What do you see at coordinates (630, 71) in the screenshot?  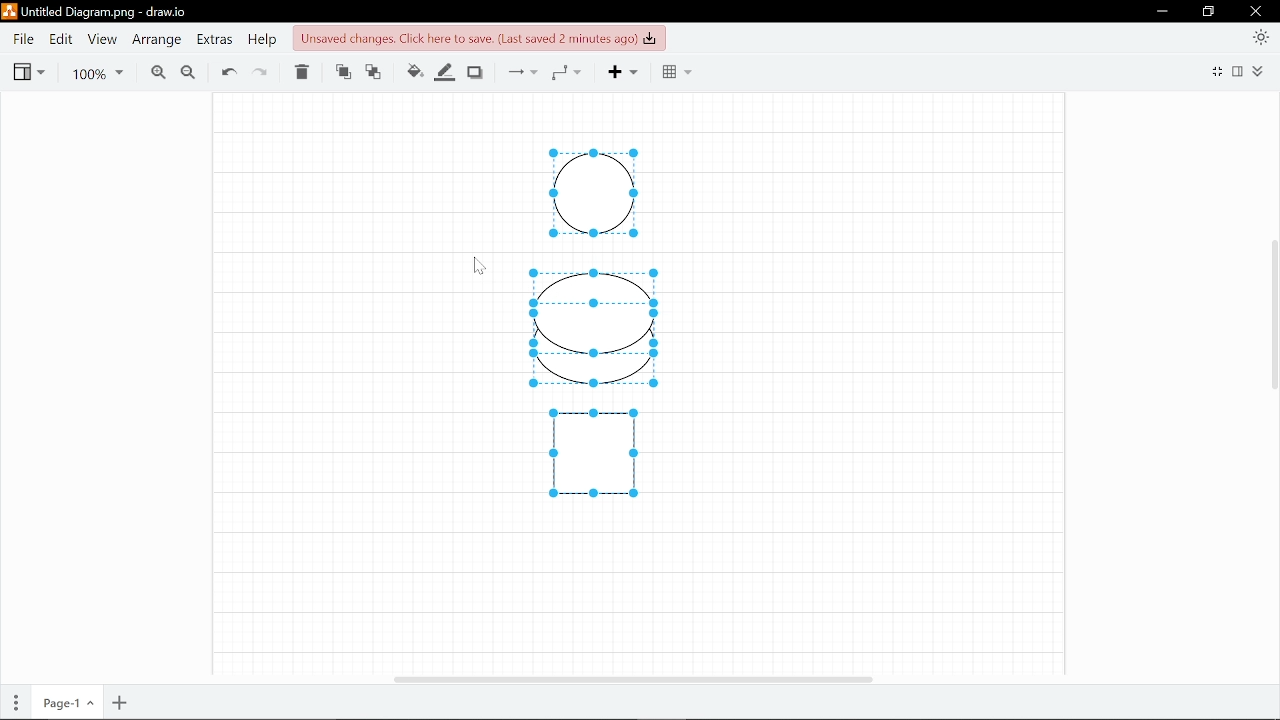 I see `Add` at bounding box center [630, 71].